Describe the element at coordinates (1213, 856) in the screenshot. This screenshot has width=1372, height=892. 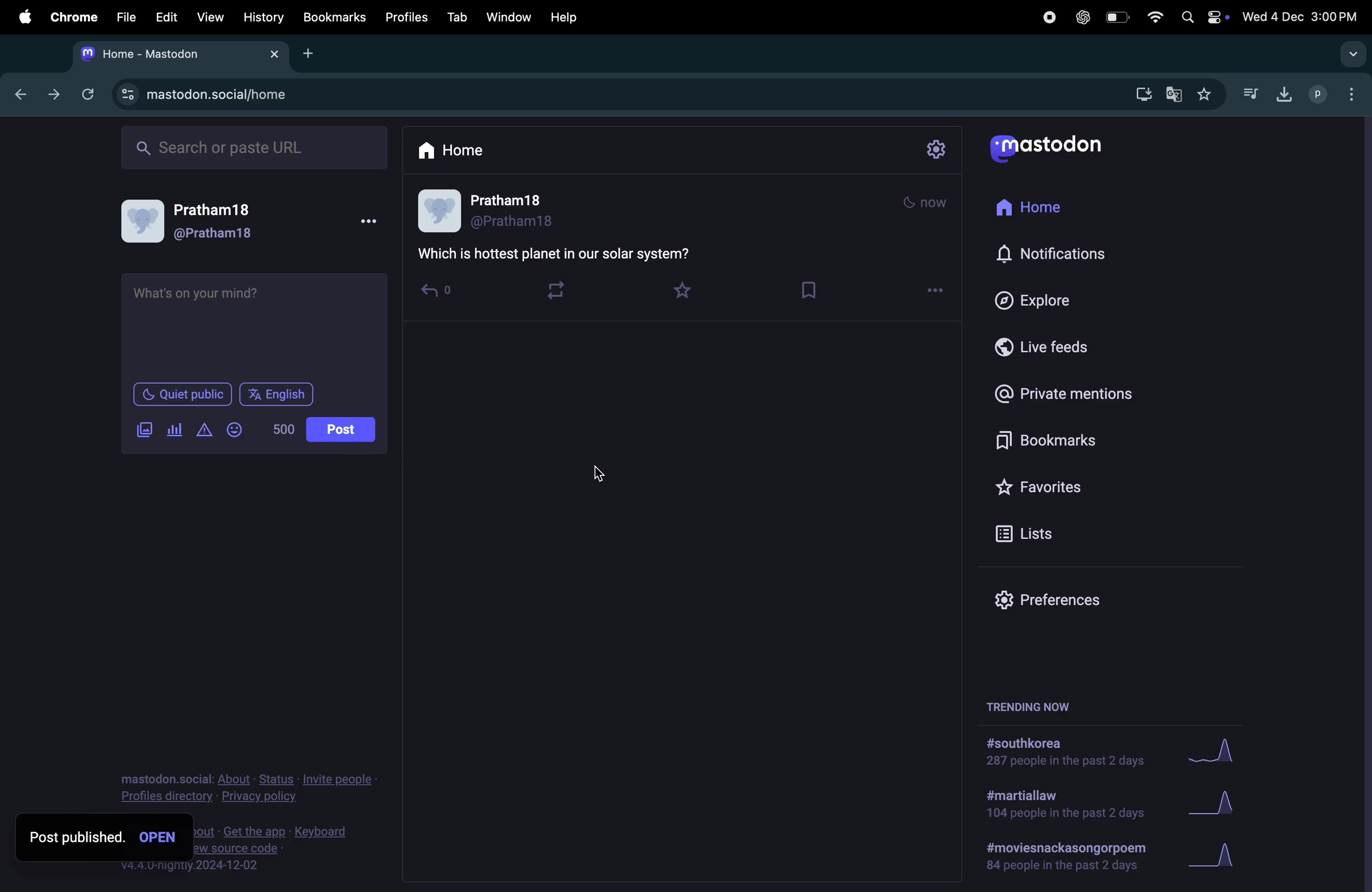
I see `Graph` at that location.